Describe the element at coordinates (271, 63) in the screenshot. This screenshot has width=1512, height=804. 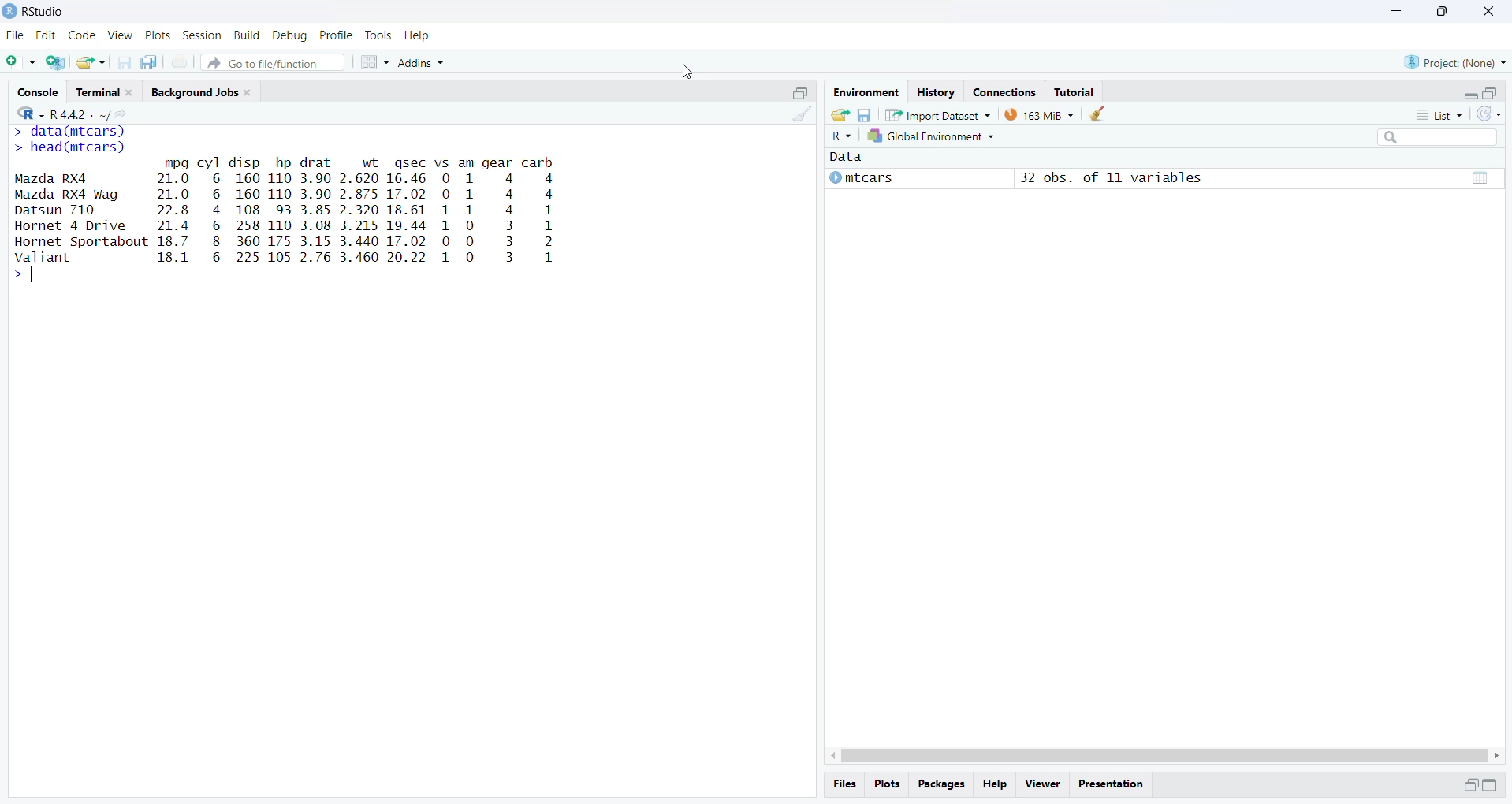
I see `Go to file/function` at that location.